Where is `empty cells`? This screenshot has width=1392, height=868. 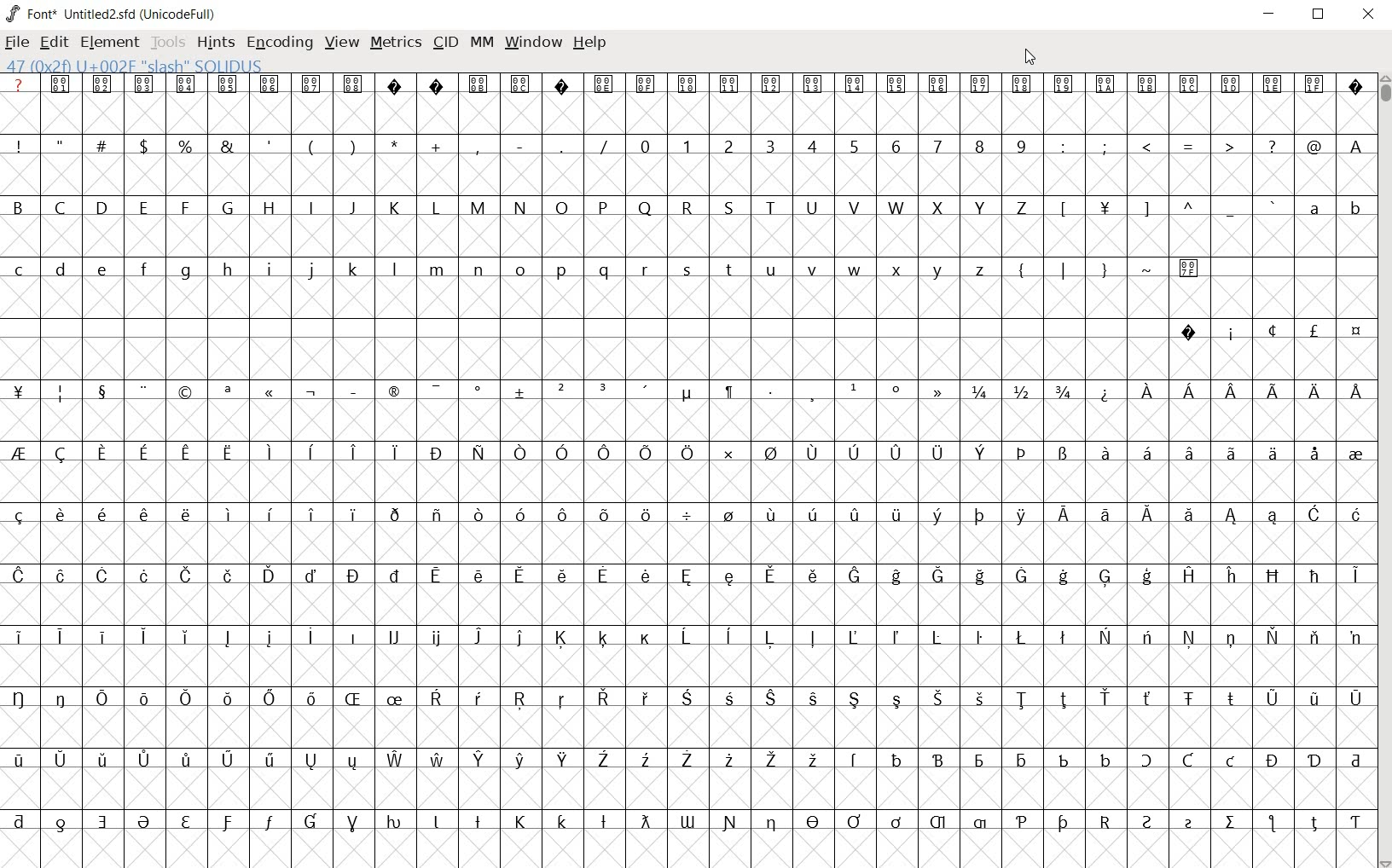
empty cells is located at coordinates (688, 115).